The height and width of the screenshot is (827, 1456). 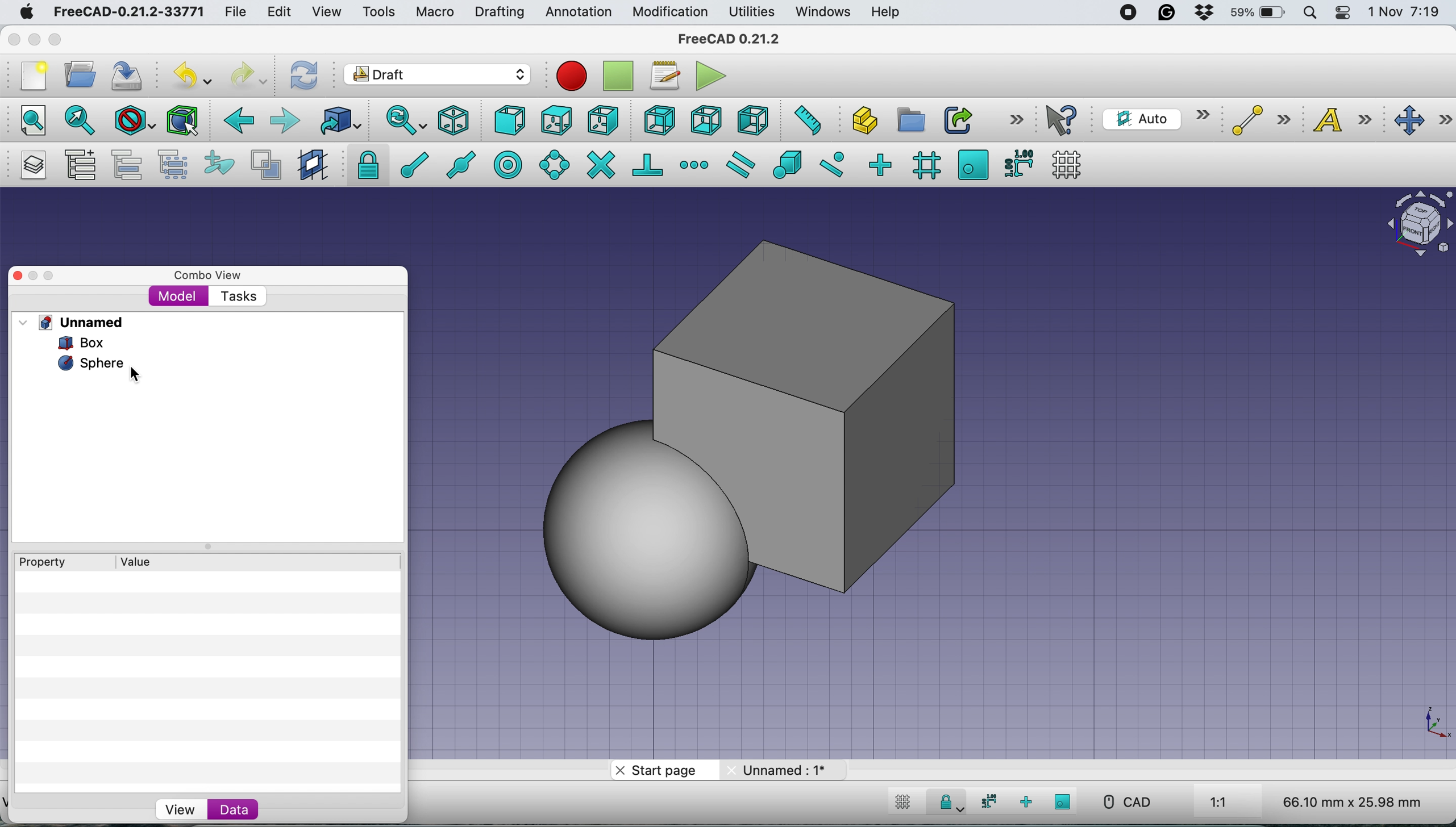 What do you see at coordinates (268, 165) in the screenshot?
I see `toggle normal wireframe display` at bounding box center [268, 165].